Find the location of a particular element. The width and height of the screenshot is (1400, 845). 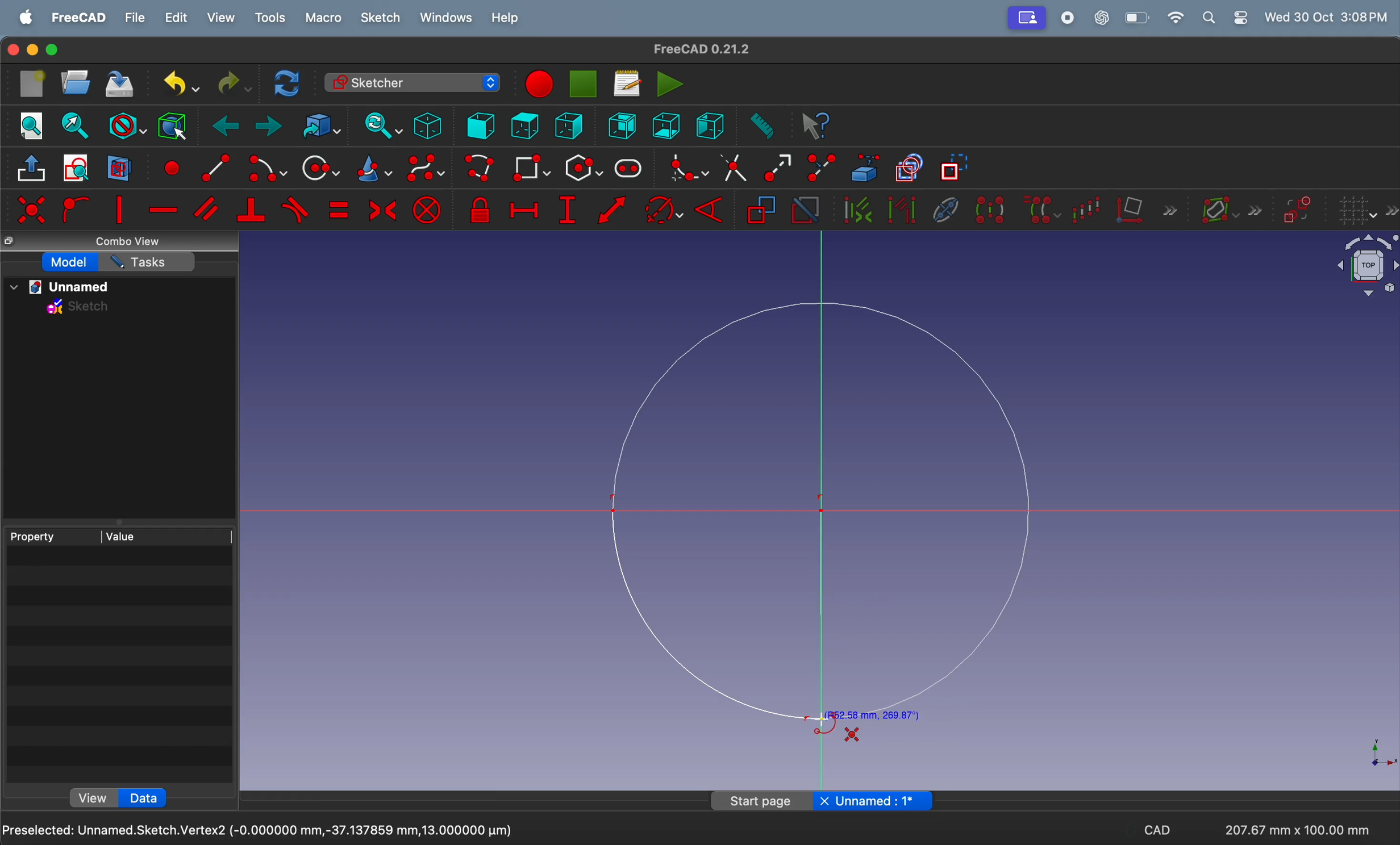

constrain vertical distance is located at coordinates (567, 210).